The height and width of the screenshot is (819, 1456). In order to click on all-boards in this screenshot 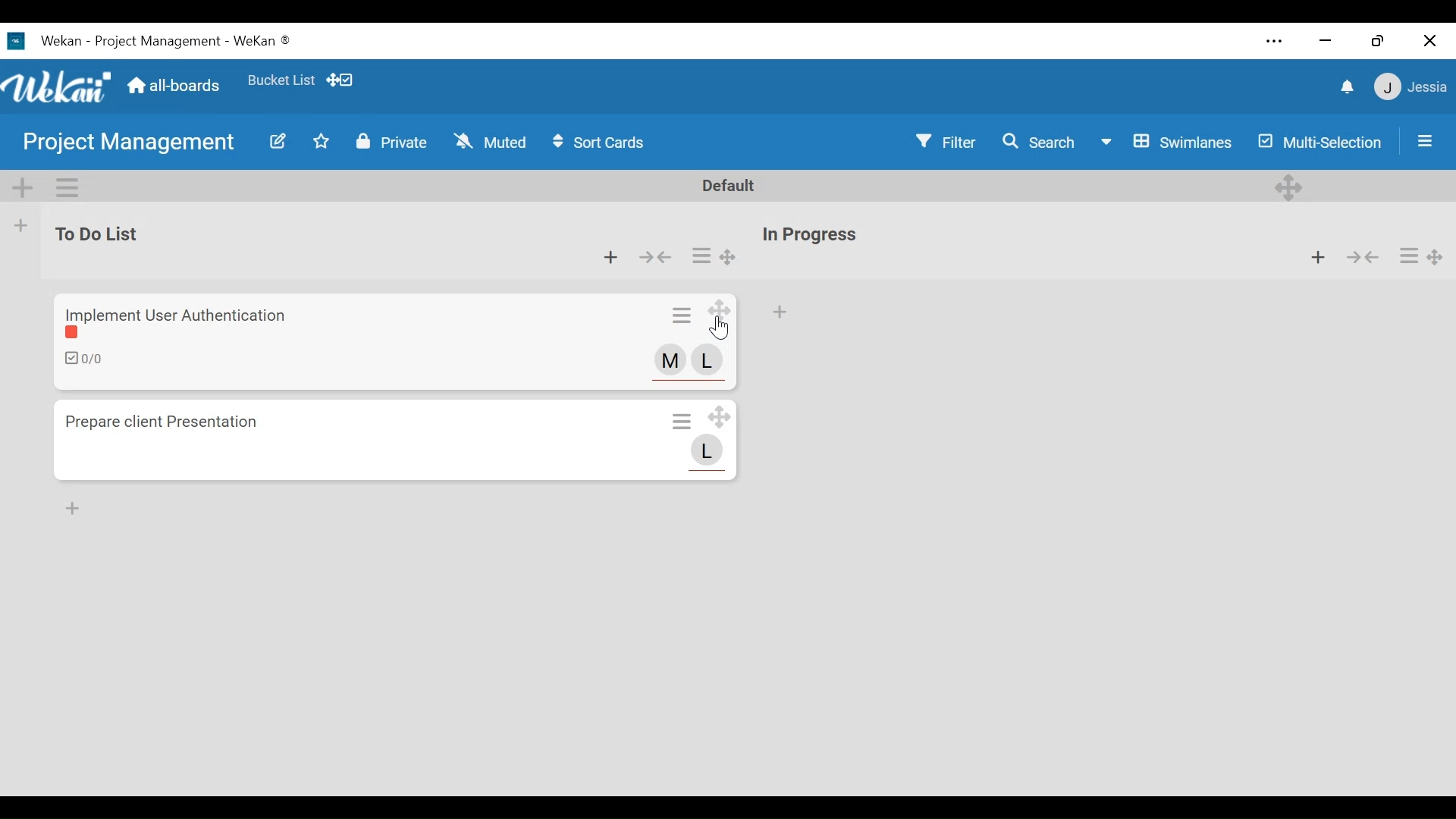, I will do `click(174, 86)`.